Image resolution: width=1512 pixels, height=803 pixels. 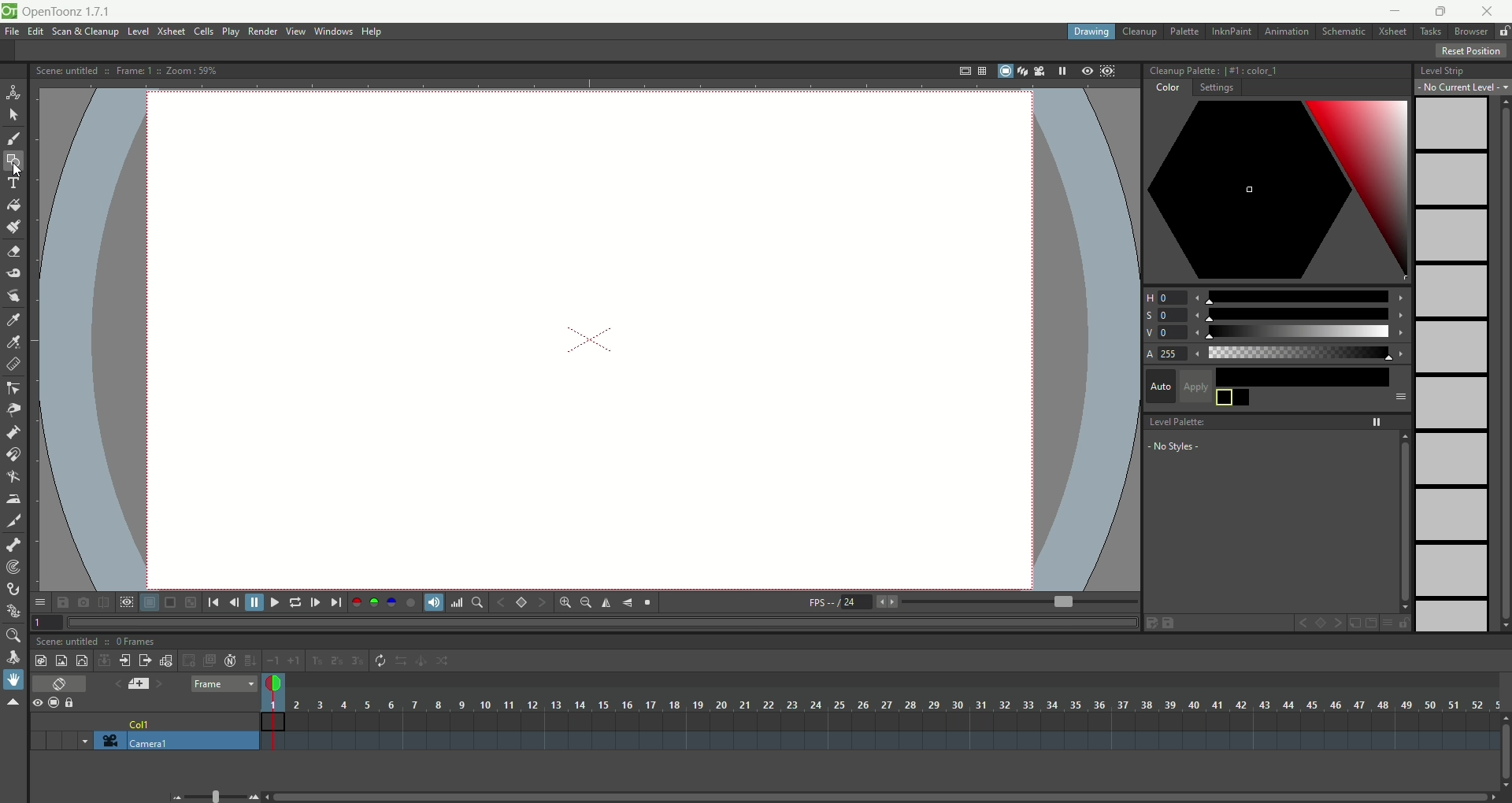 I want to click on duplicate drawing, so click(x=210, y=661).